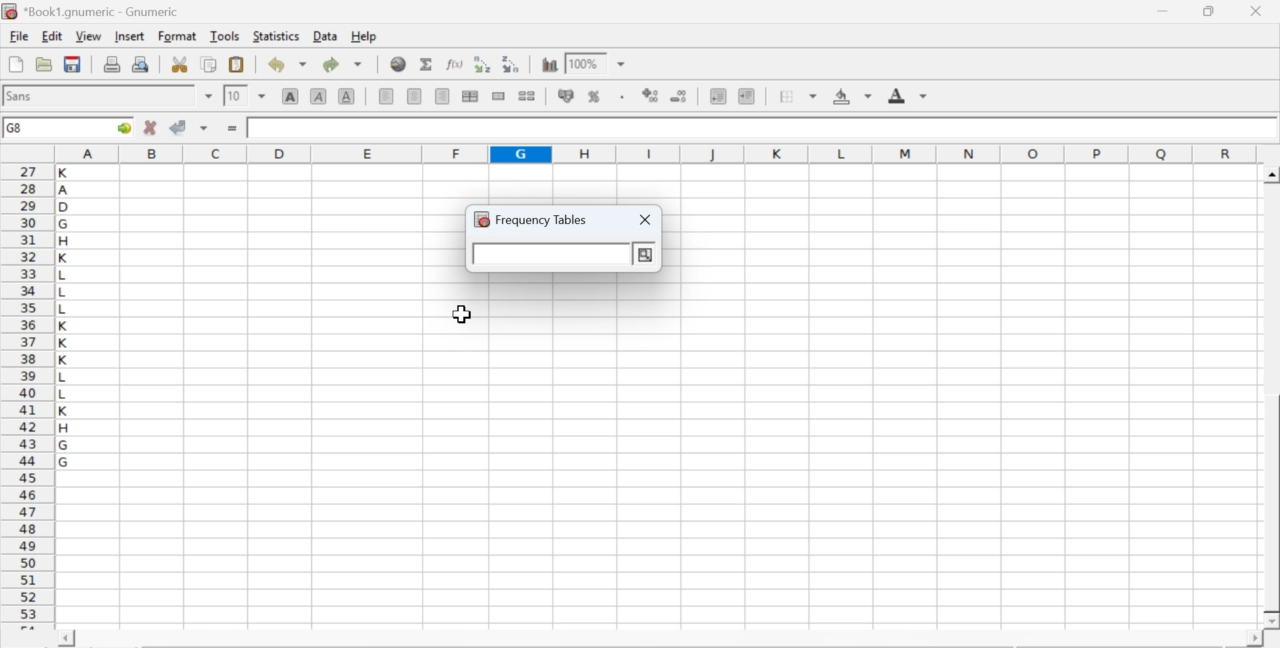 The height and width of the screenshot is (648, 1280). What do you see at coordinates (746, 97) in the screenshot?
I see `increase indent` at bounding box center [746, 97].